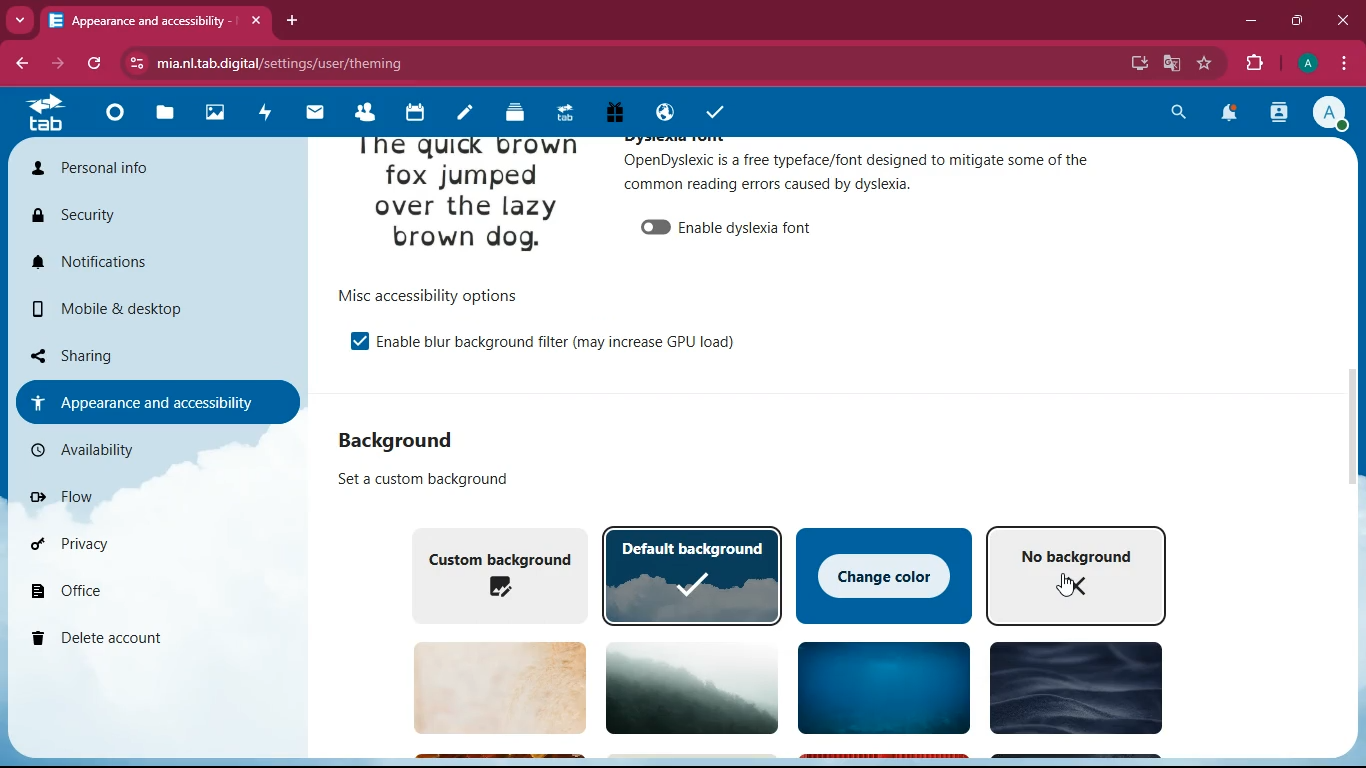 The width and height of the screenshot is (1366, 768). I want to click on personal info, so click(153, 173).